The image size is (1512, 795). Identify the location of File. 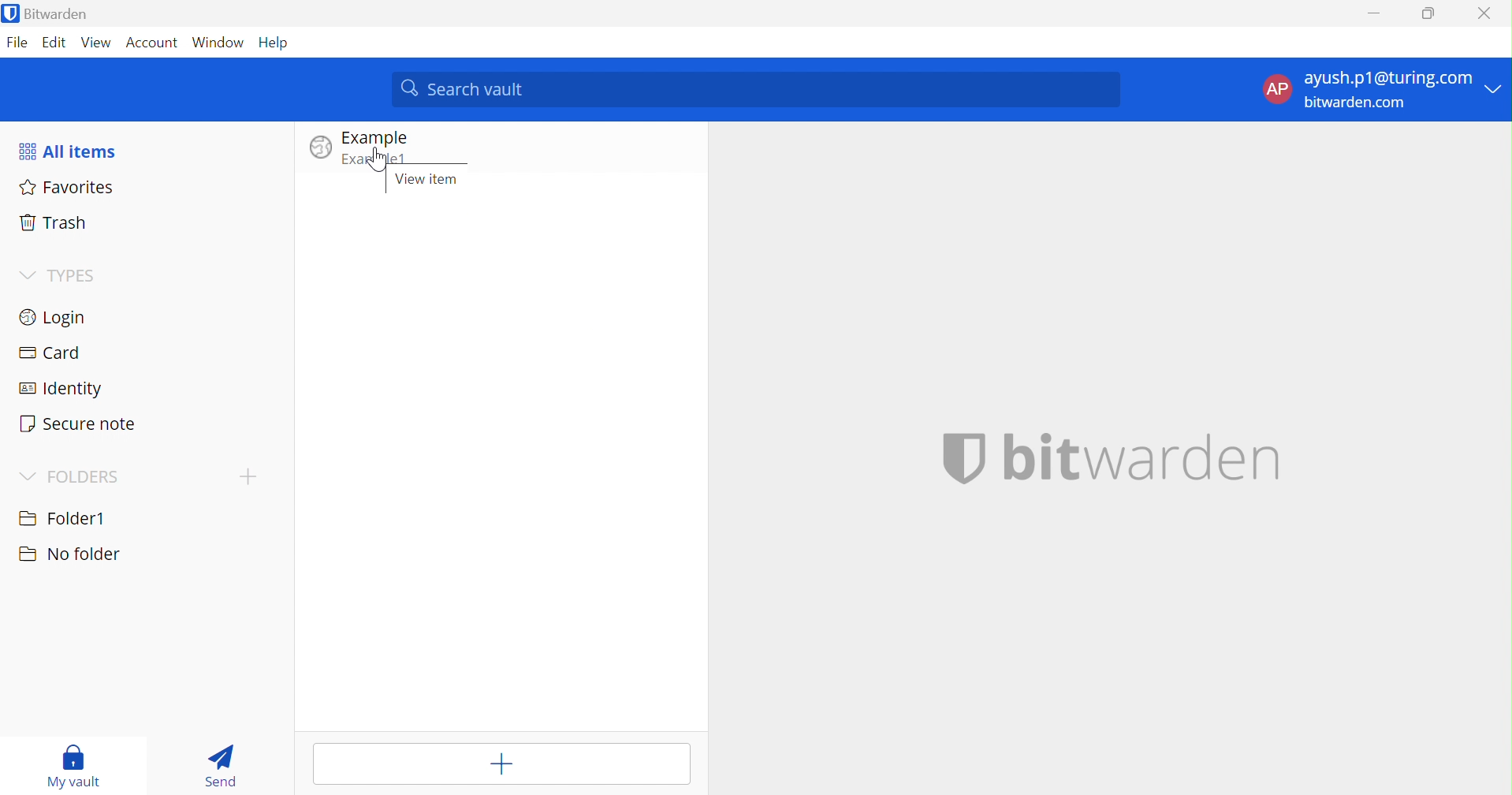
(20, 43).